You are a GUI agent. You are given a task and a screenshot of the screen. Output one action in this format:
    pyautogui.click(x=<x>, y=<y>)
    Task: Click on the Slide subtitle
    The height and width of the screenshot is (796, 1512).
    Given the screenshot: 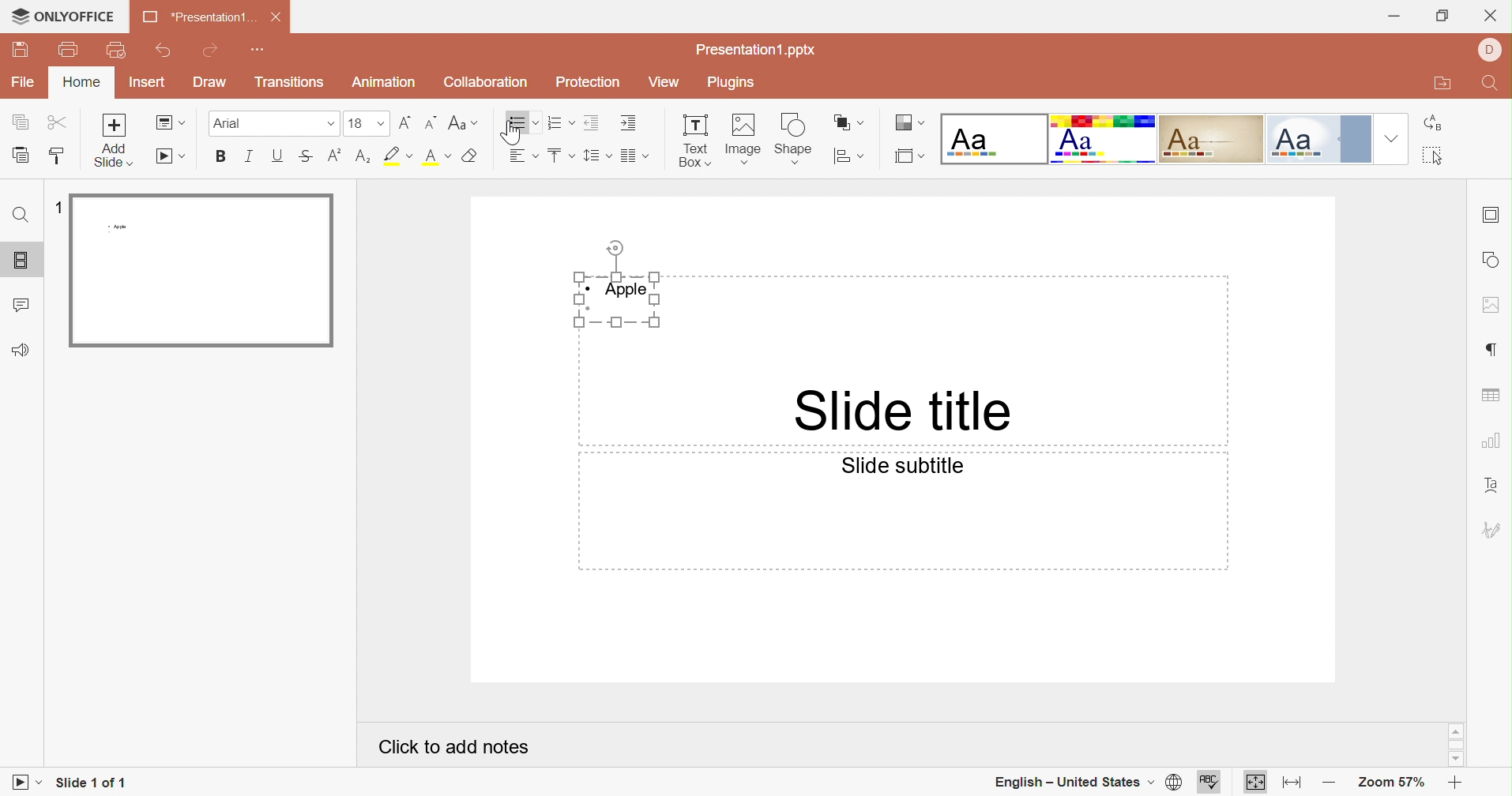 What is the action you would take?
    pyautogui.click(x=901, y=467)
    